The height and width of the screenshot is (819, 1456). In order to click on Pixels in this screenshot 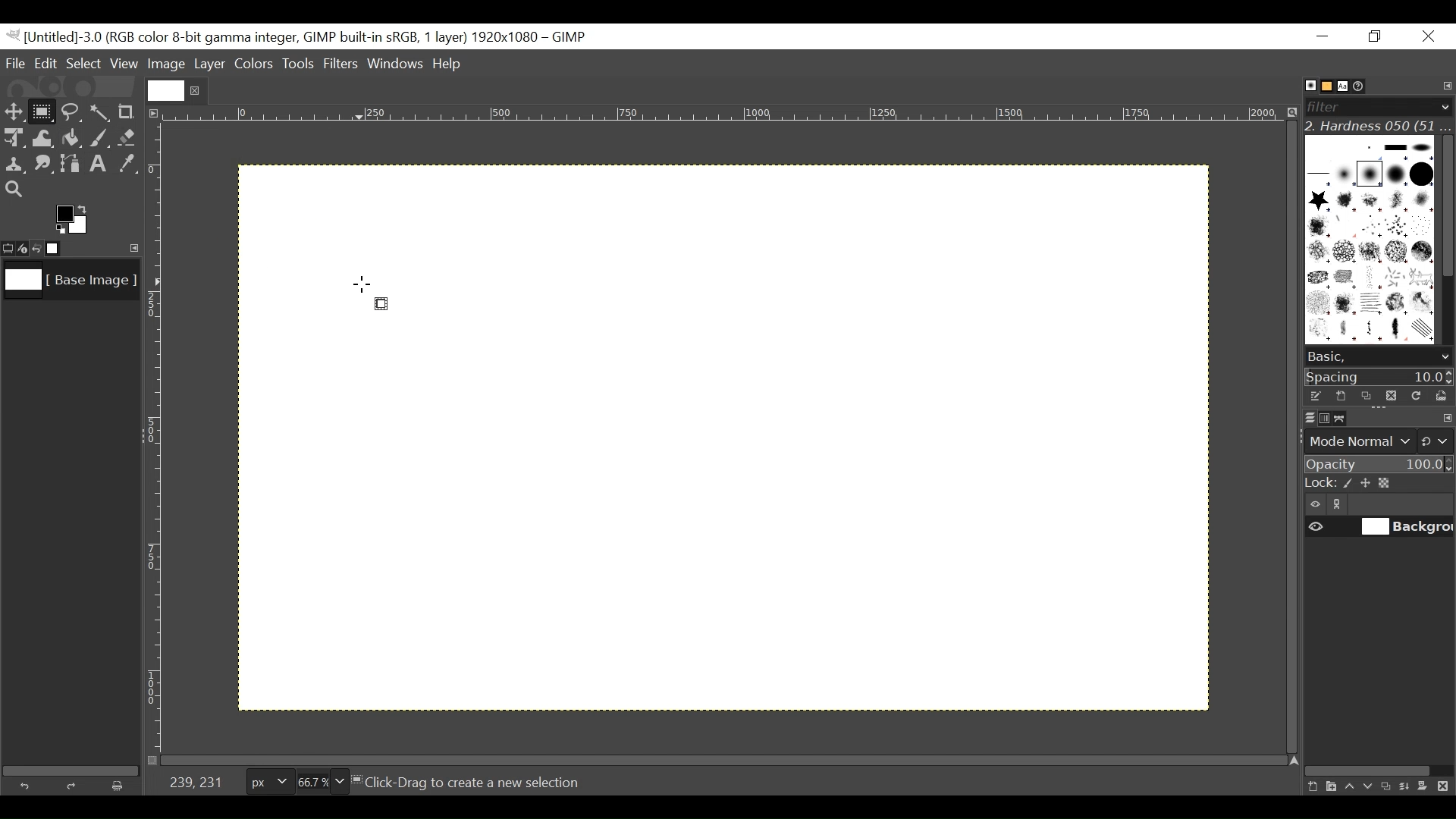, I will do `click(266, 779)`.